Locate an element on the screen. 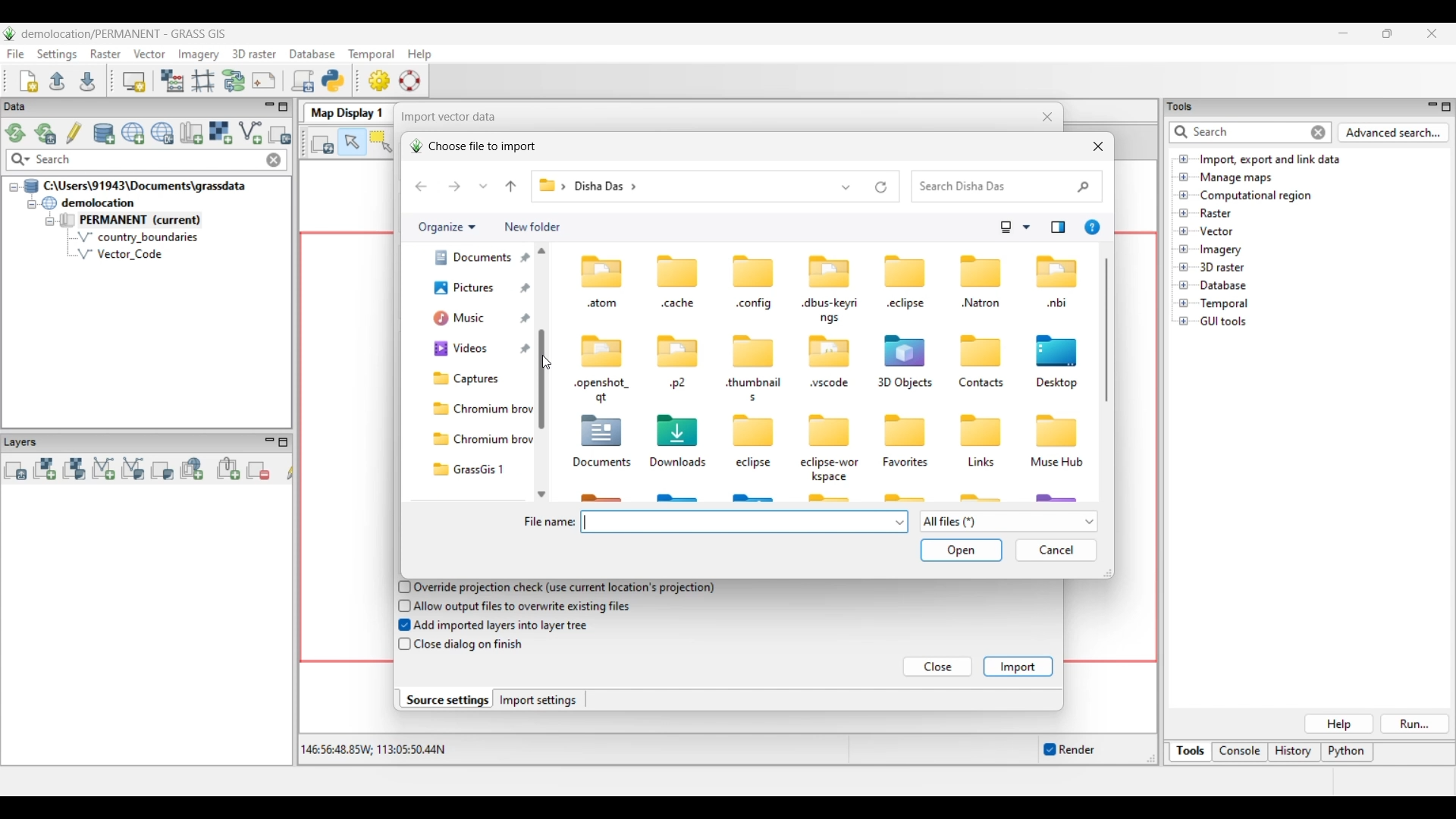 This screenshot has height=819, width=1456. Double click to see files under Temporal is located at coordinates (1224, 304).